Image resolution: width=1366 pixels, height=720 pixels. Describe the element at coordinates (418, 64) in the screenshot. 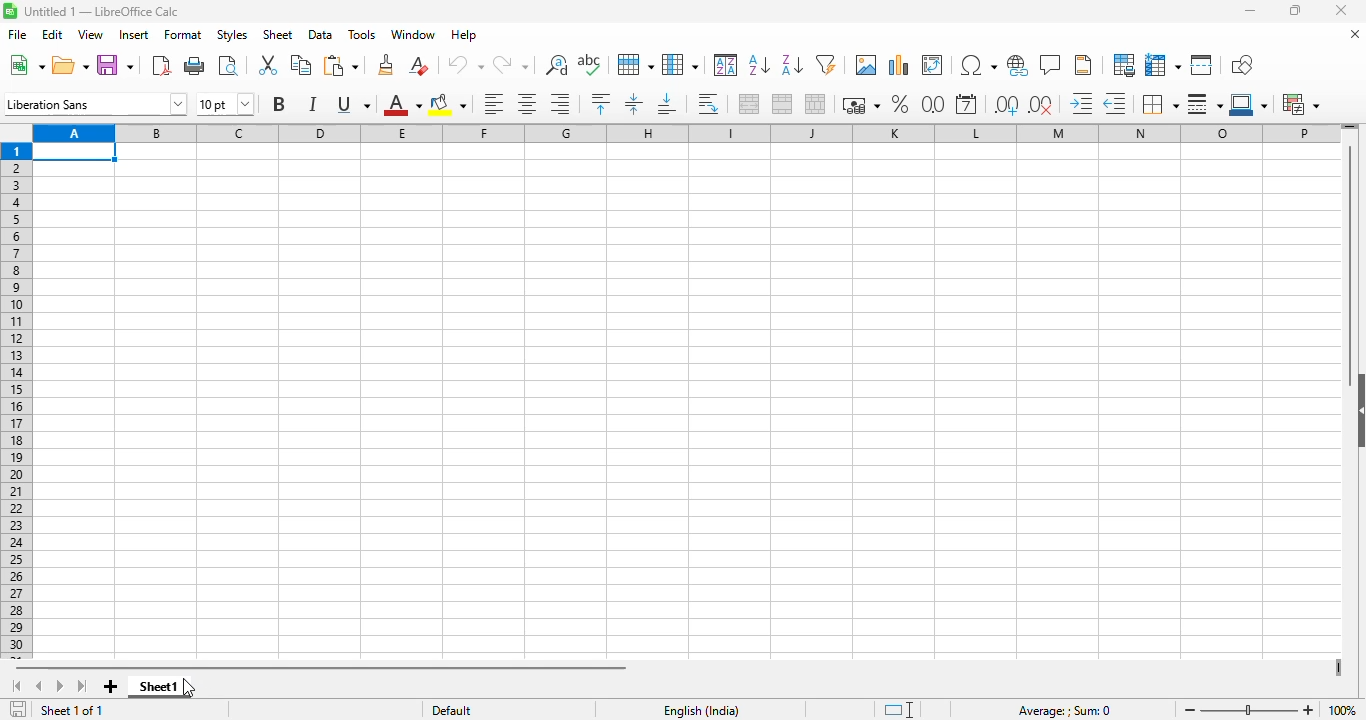

I see `clear direct formatting` at that location.